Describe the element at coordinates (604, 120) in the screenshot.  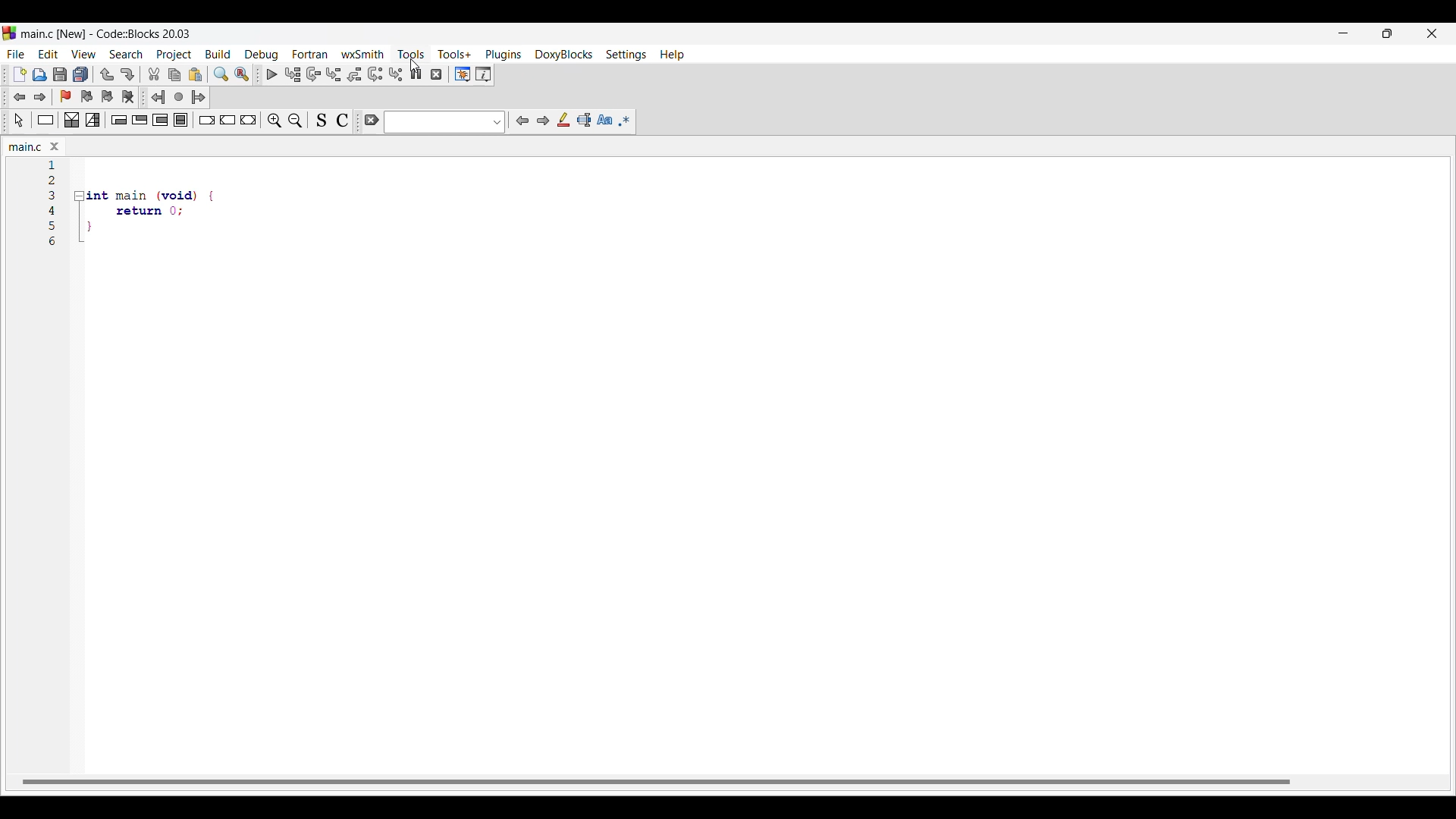
I see `Match case` at that location.